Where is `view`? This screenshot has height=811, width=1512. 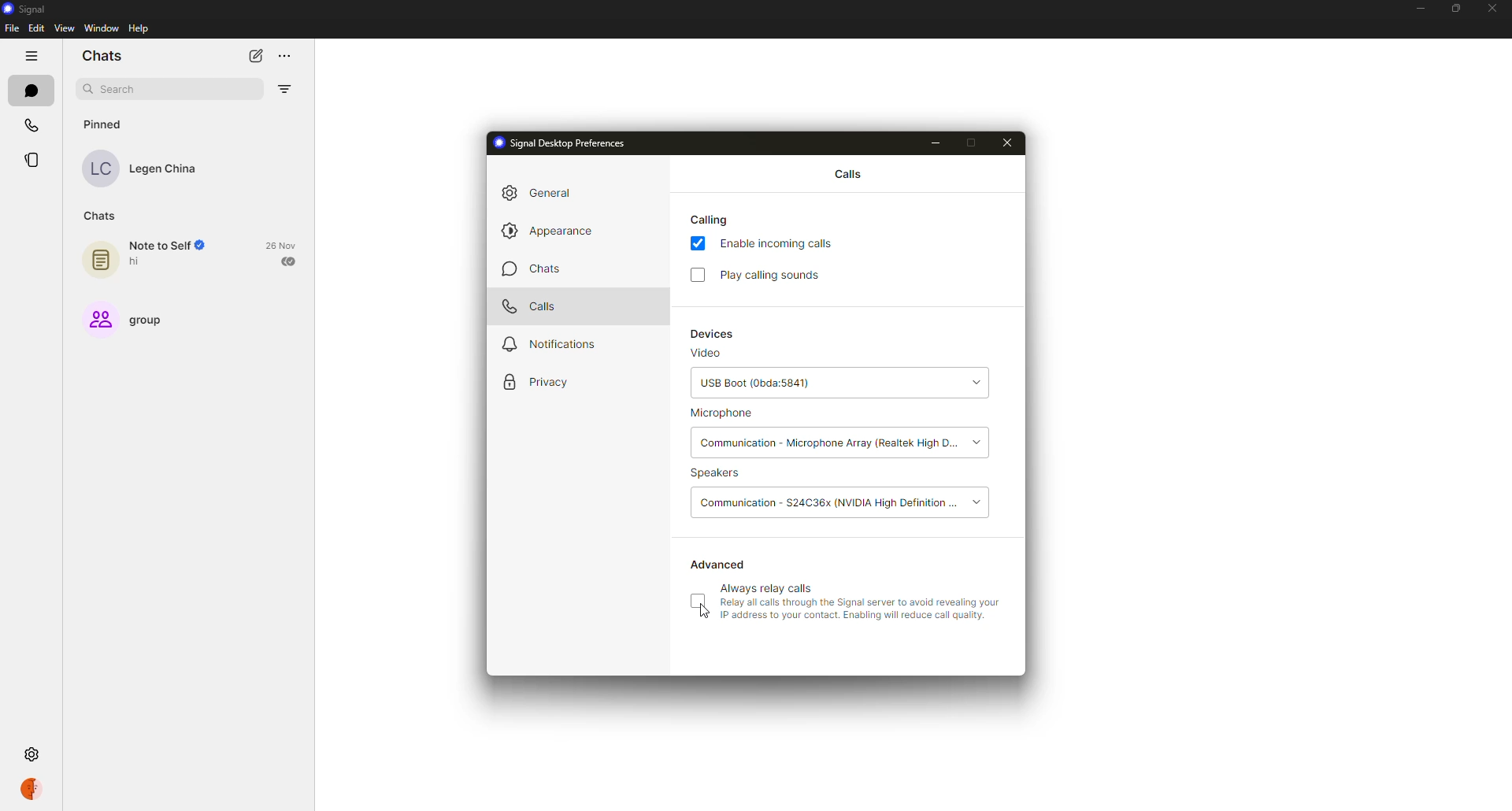 view is located at coordinates (67, 29).